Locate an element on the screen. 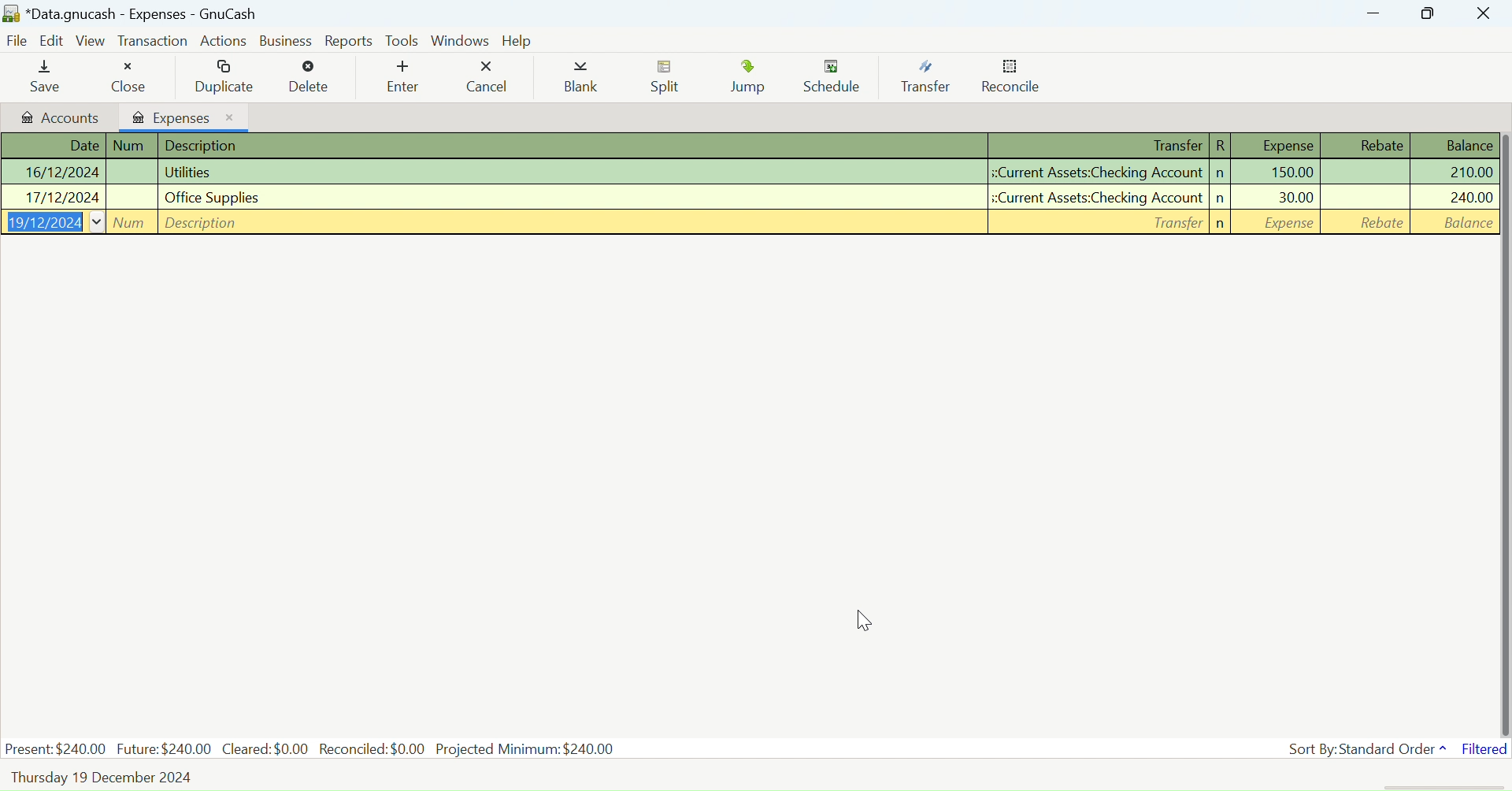 This screenshot has width=1512, height=791. Edit is located at coordinates (53, 42).